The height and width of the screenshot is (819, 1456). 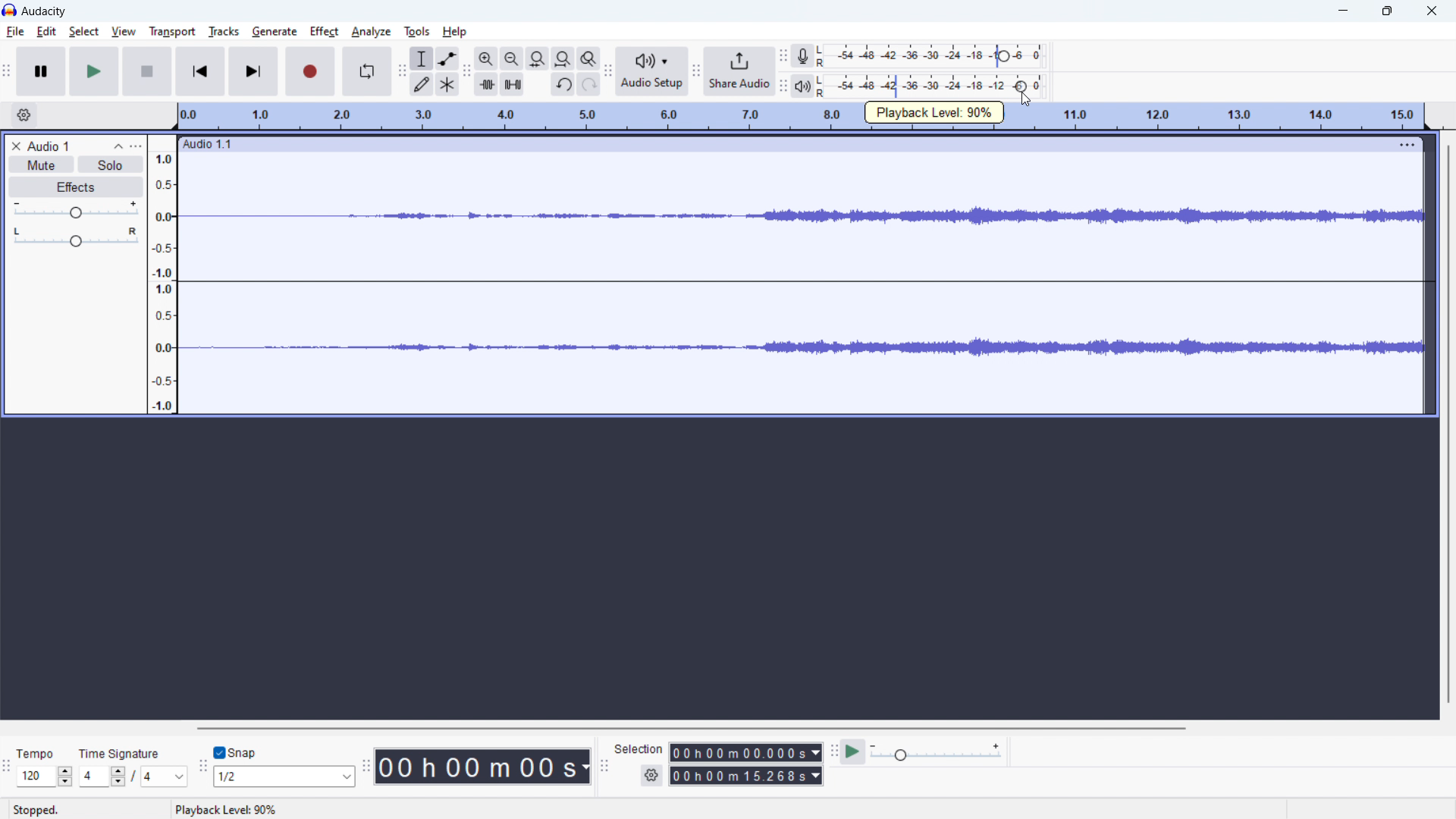 I want to click on transport toolbar, so click(x=9, y=68).